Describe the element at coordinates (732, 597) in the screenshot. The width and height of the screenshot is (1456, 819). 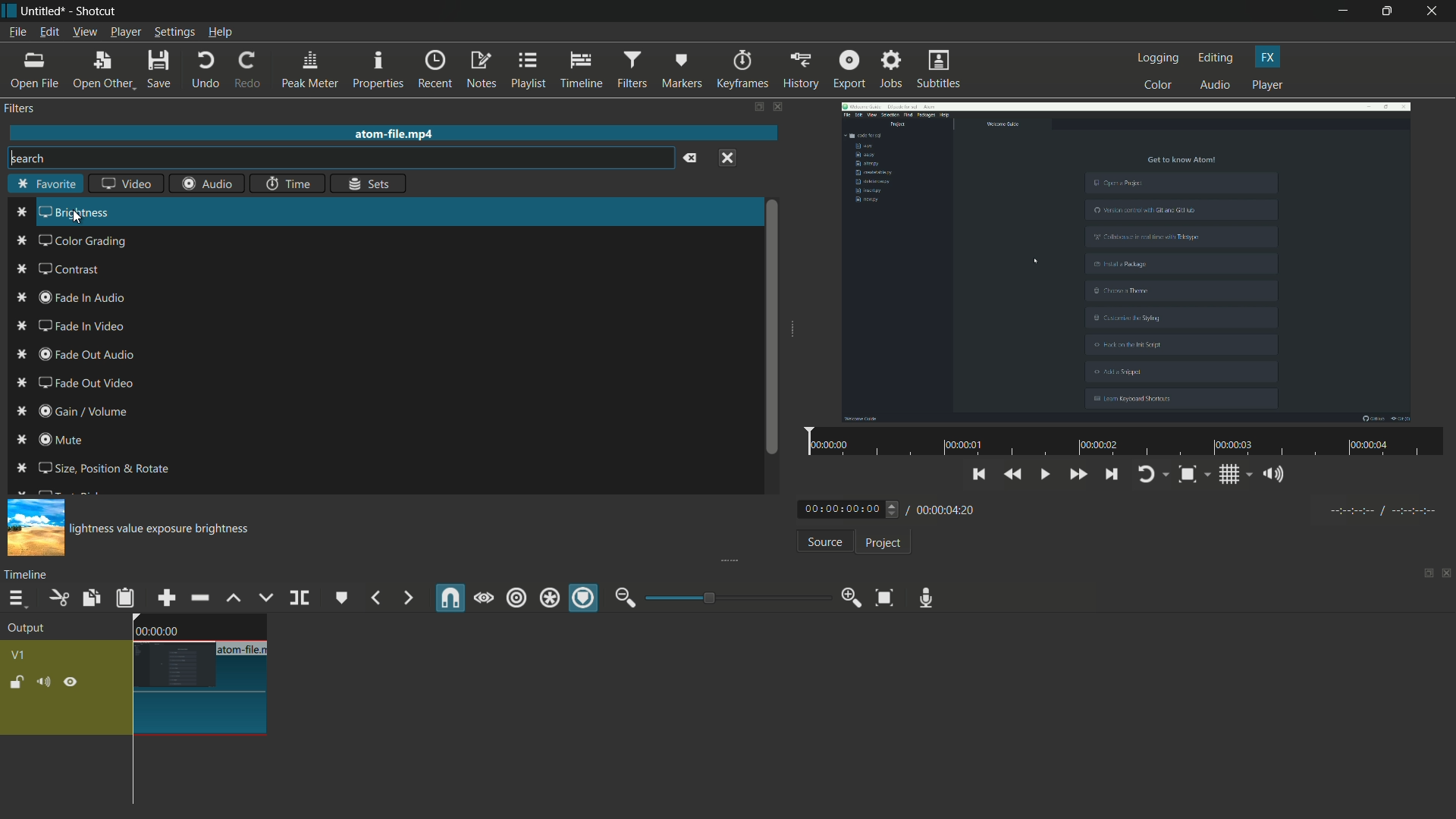
I see `zoom bar` at that location.